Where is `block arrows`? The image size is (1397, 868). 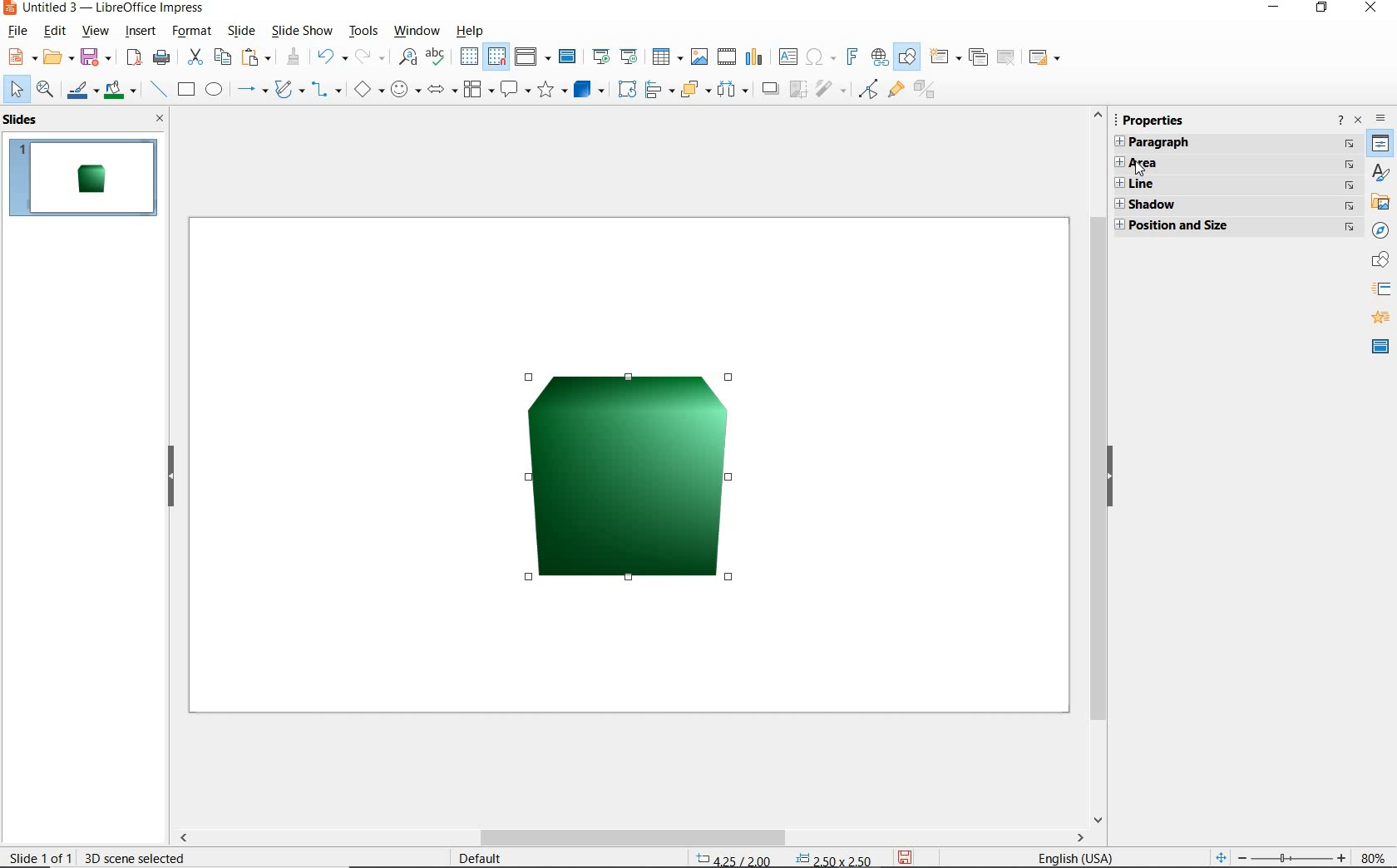
block arrows is located at coordinates (442, 89).